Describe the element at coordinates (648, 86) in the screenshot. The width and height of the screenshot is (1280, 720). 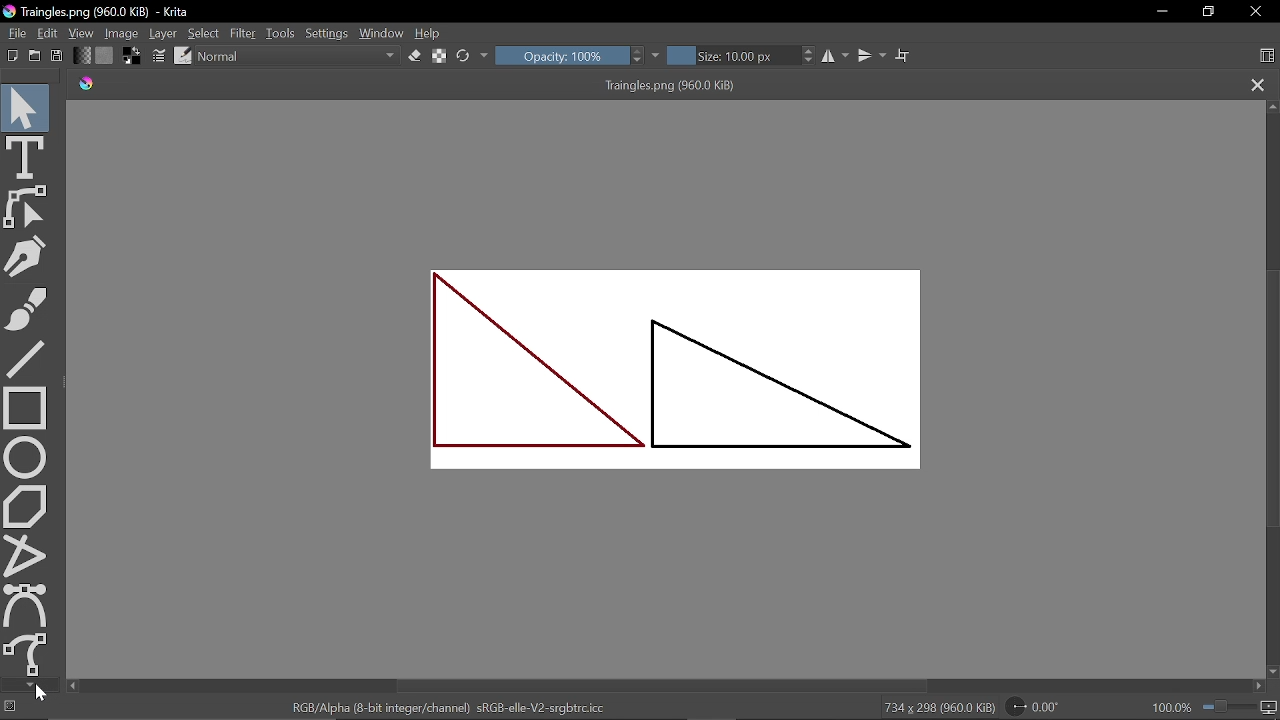
I see `Traingles.png (960.0 KiB)` at that location.